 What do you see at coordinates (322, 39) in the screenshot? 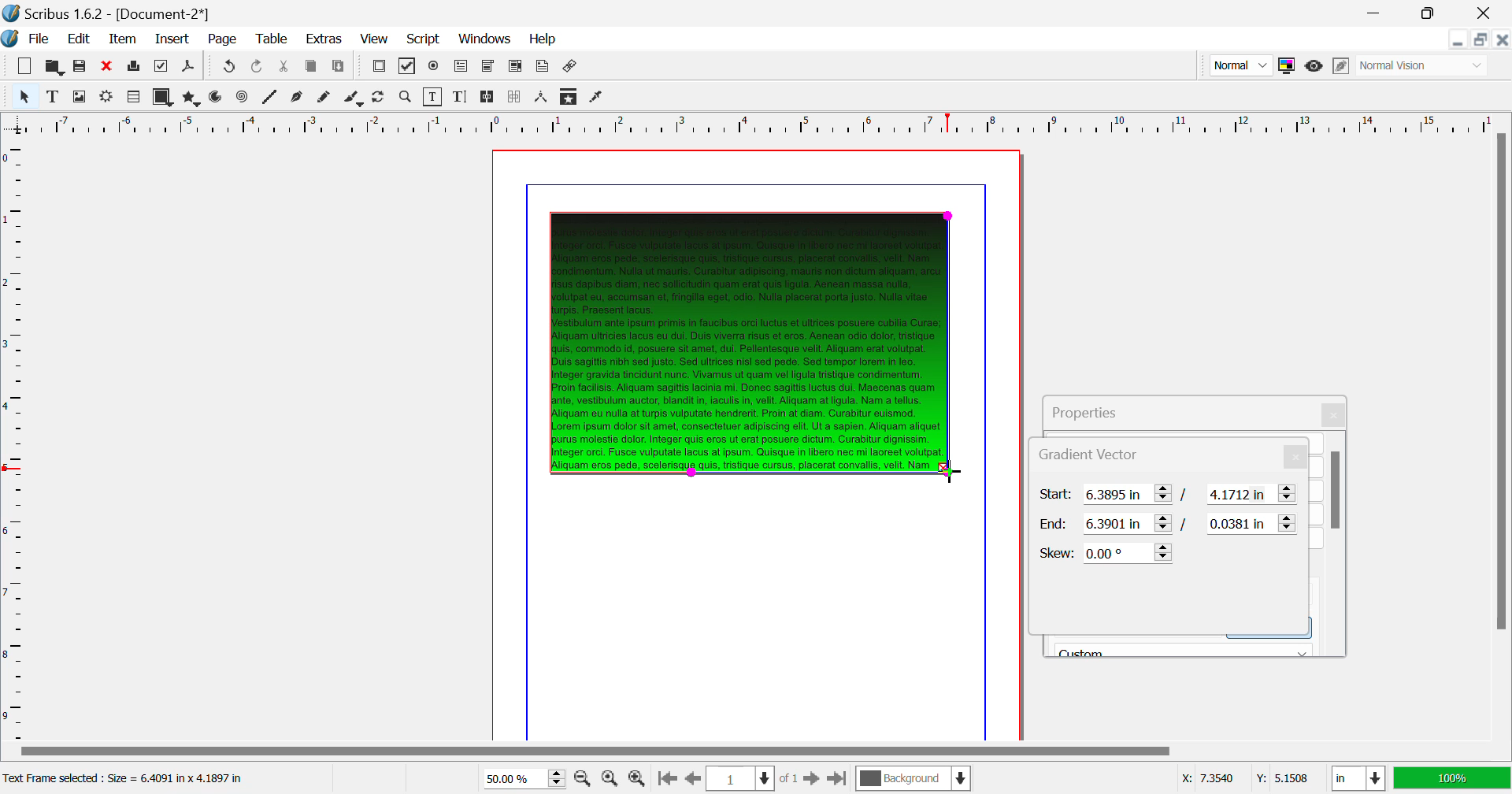
I see `Extras` at bounding box center [322, 39].